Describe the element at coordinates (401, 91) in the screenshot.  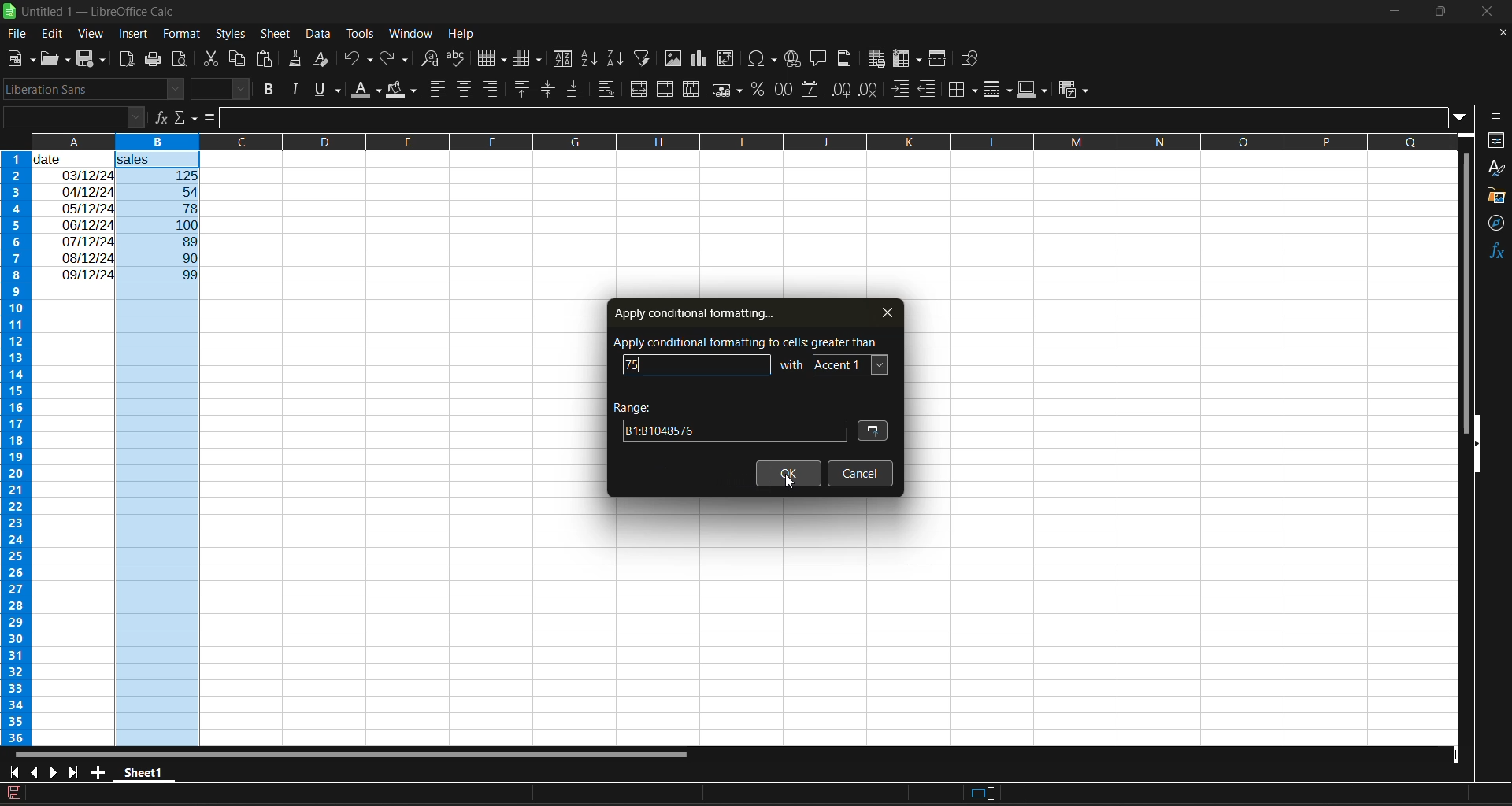
I see `background color` at that location.